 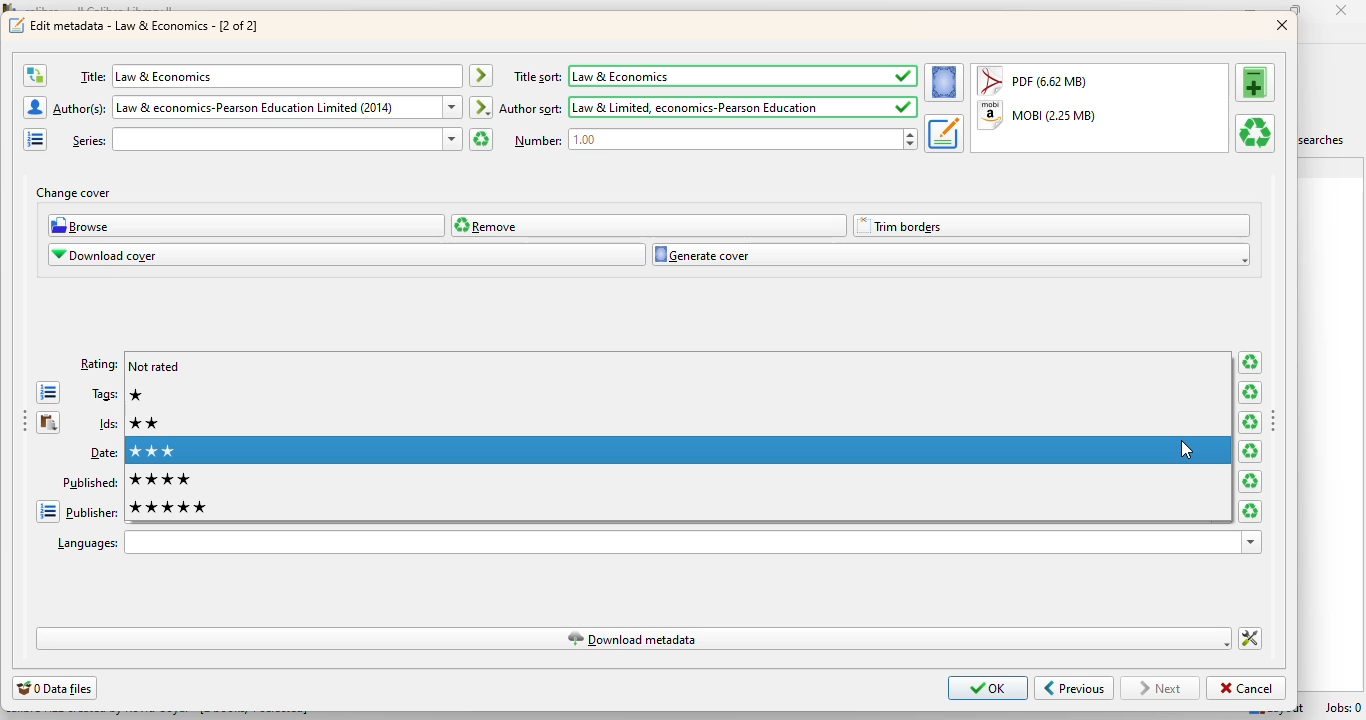 What do you see at coordinates (481, 106) in the screenshot?
I see `immediately create the author sort entry based on the current author entry` at bounding box center [481, 106].